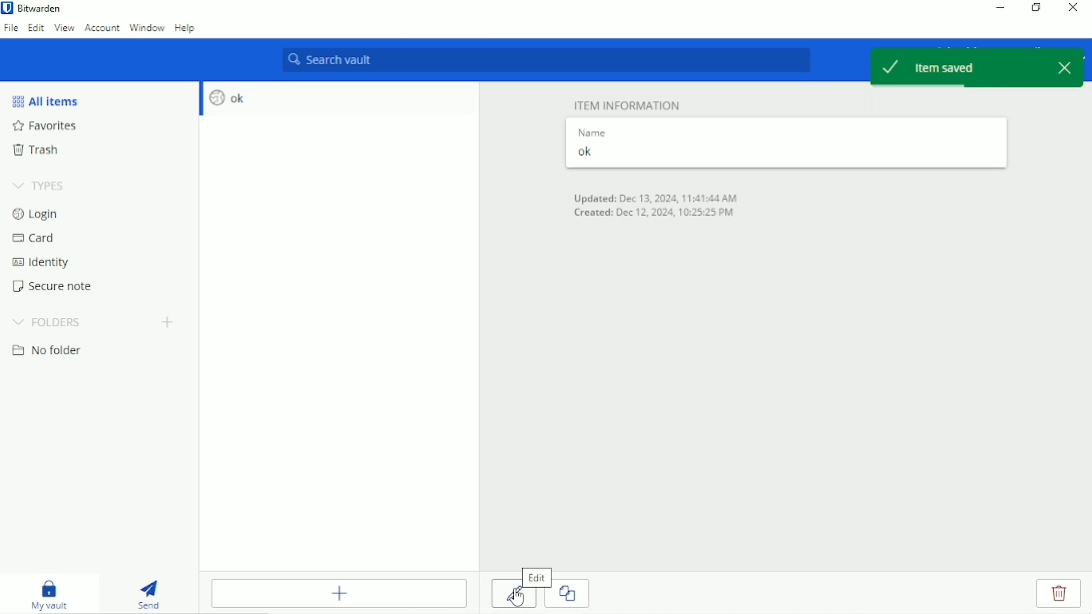 The height and width of the screenshot is (614, 1092). What do you see at coordinates (655, 196) in the screenshot?
I see `Updated on Dec 13, 2024, 11:41:44 AM` at bounding box center [655, 196].